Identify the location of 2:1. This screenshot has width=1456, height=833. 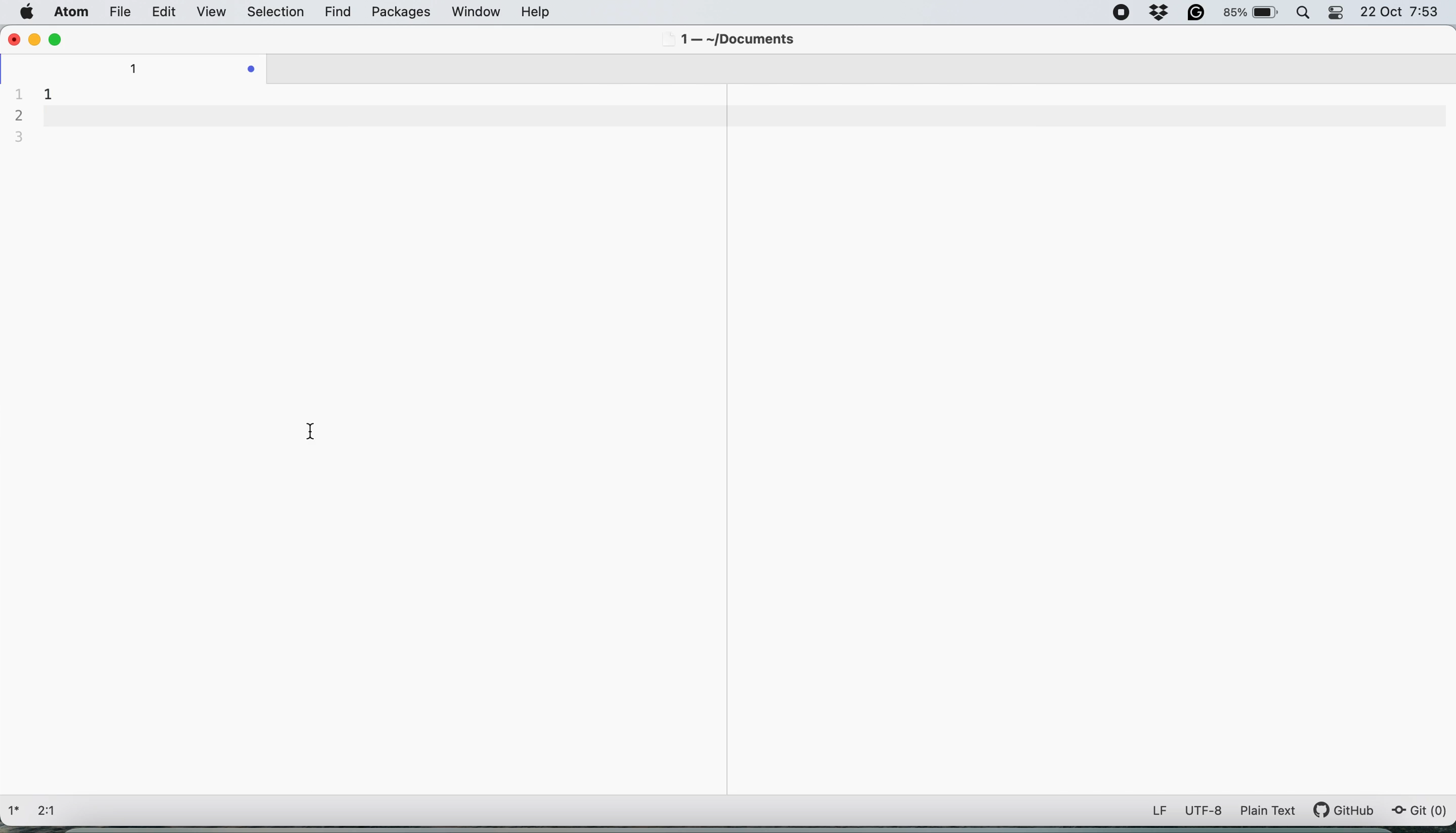
(53, 811).